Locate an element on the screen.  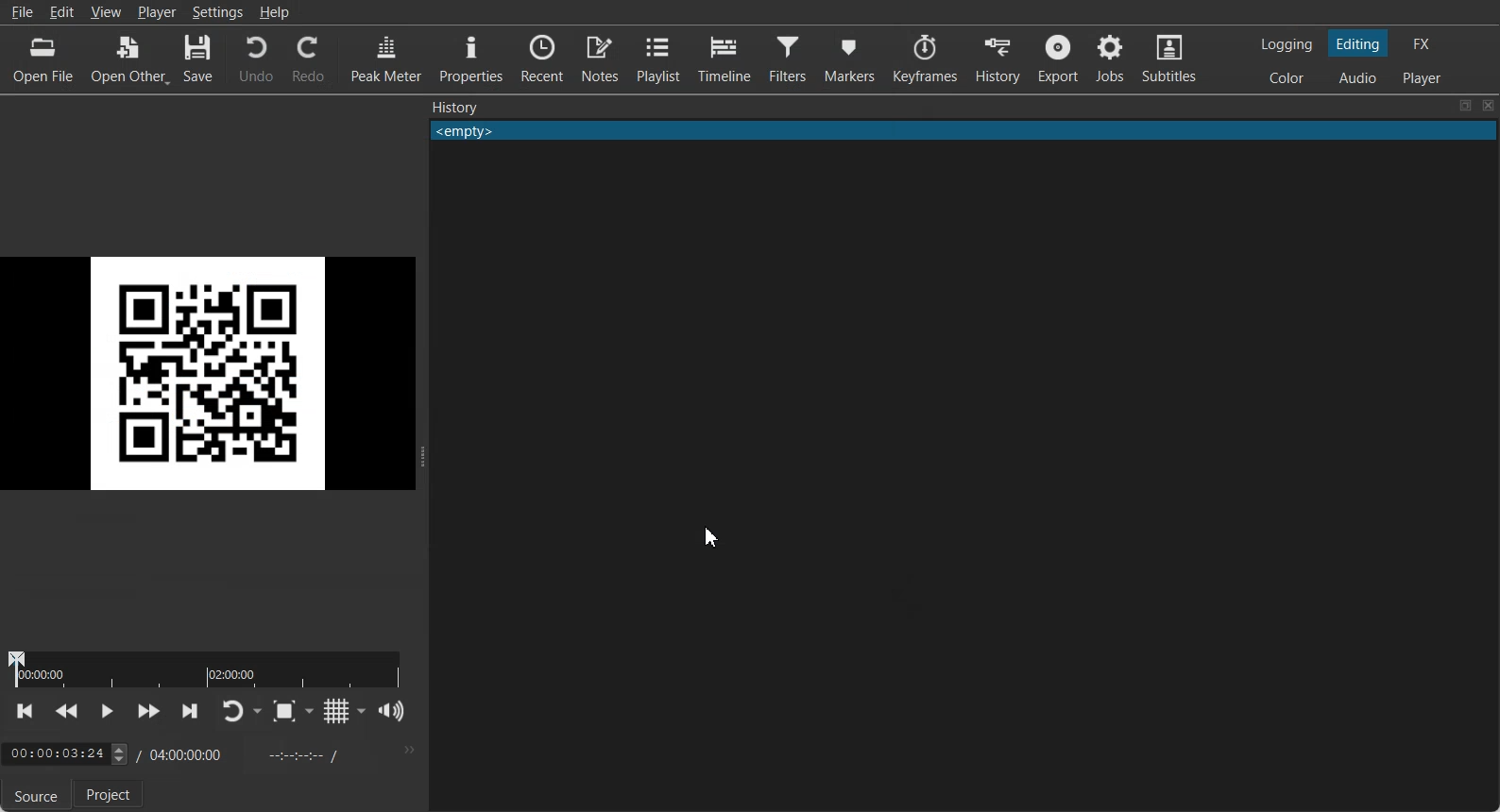
Keyframes is located at coordinates (927, 59).